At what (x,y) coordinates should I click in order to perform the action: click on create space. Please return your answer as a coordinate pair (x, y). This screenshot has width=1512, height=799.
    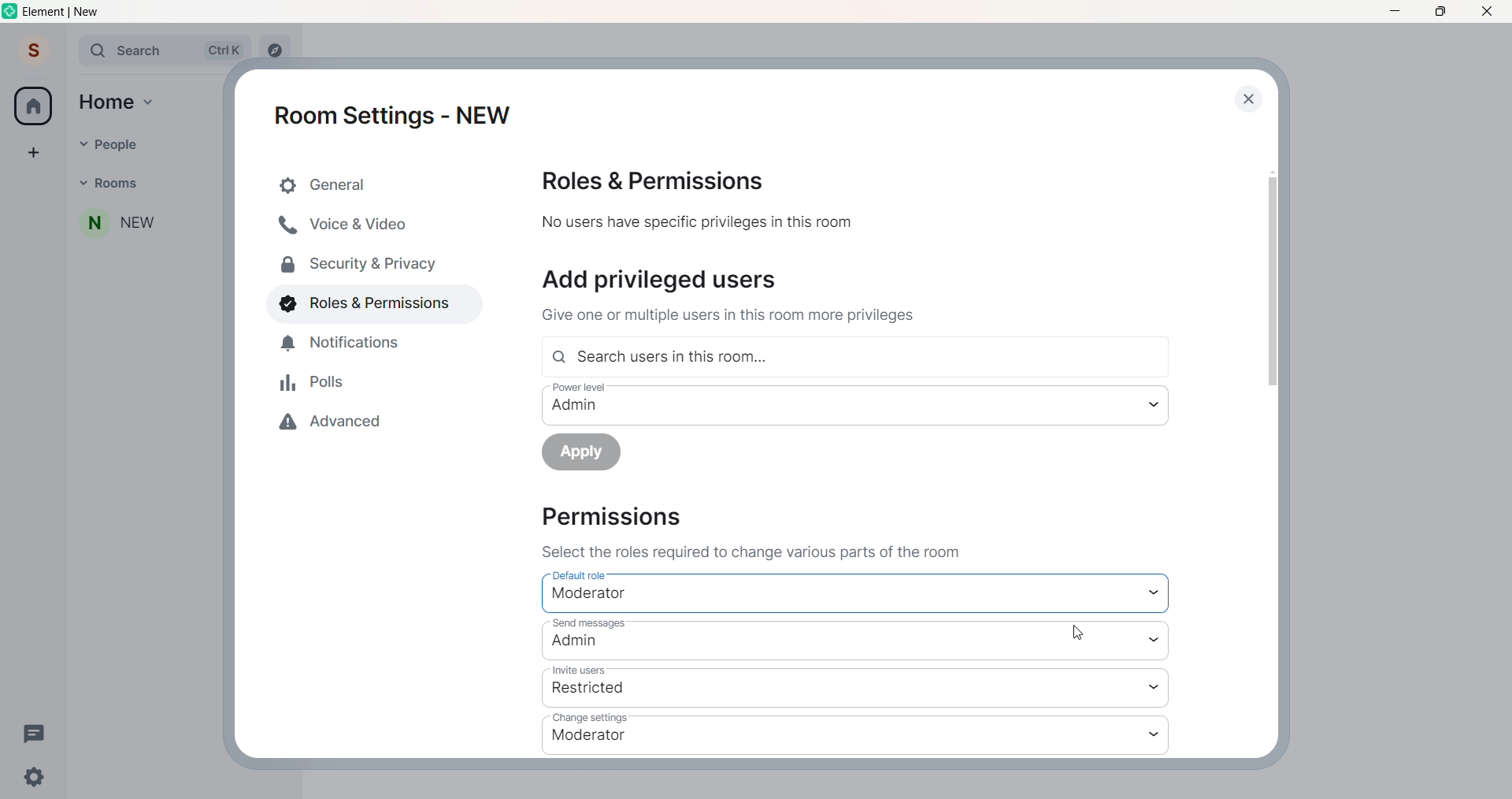
    Looking at the image, I should click on (32, 147).